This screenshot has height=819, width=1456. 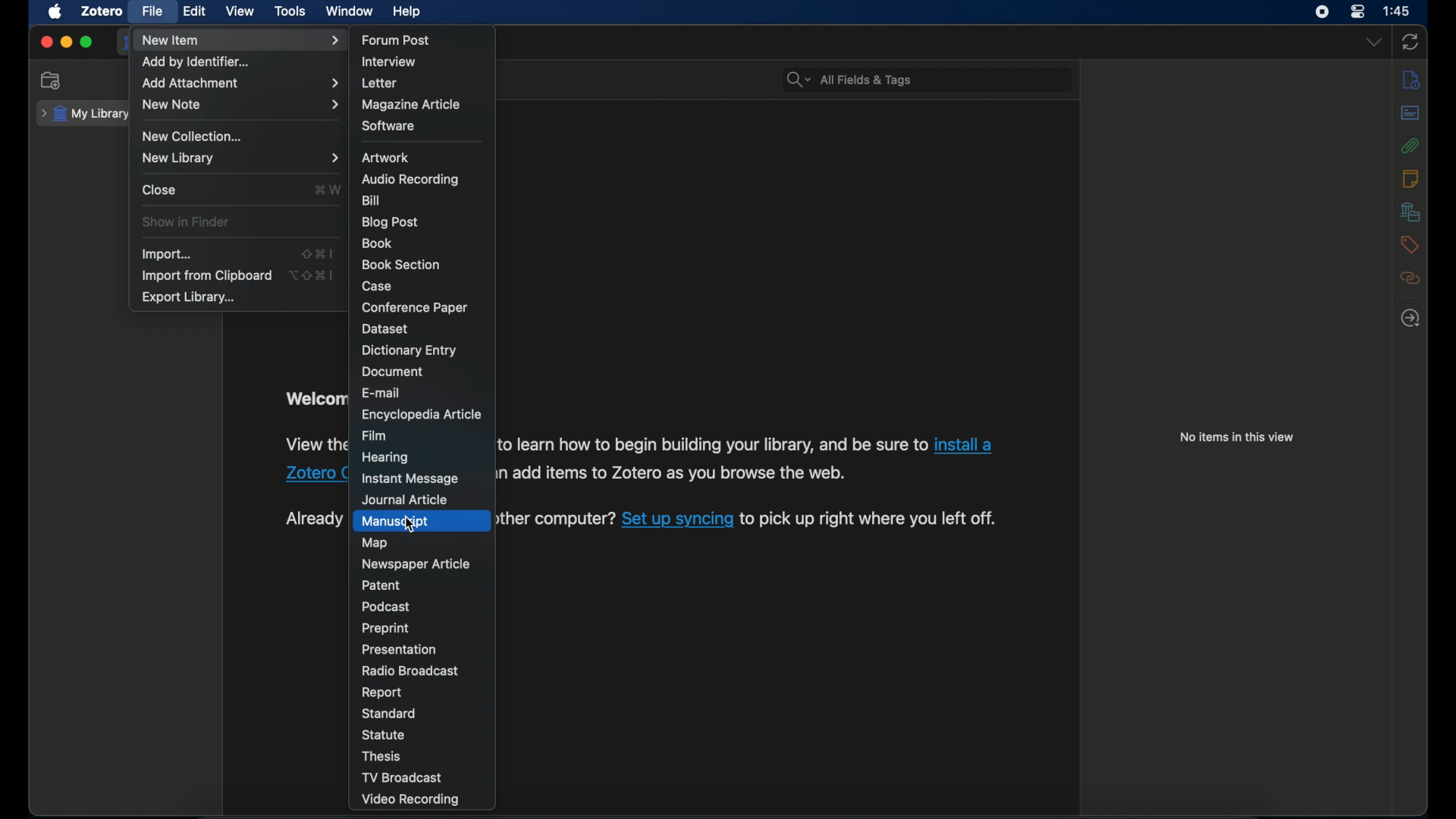 I want to click on presentation, so click(x=400, y=649).